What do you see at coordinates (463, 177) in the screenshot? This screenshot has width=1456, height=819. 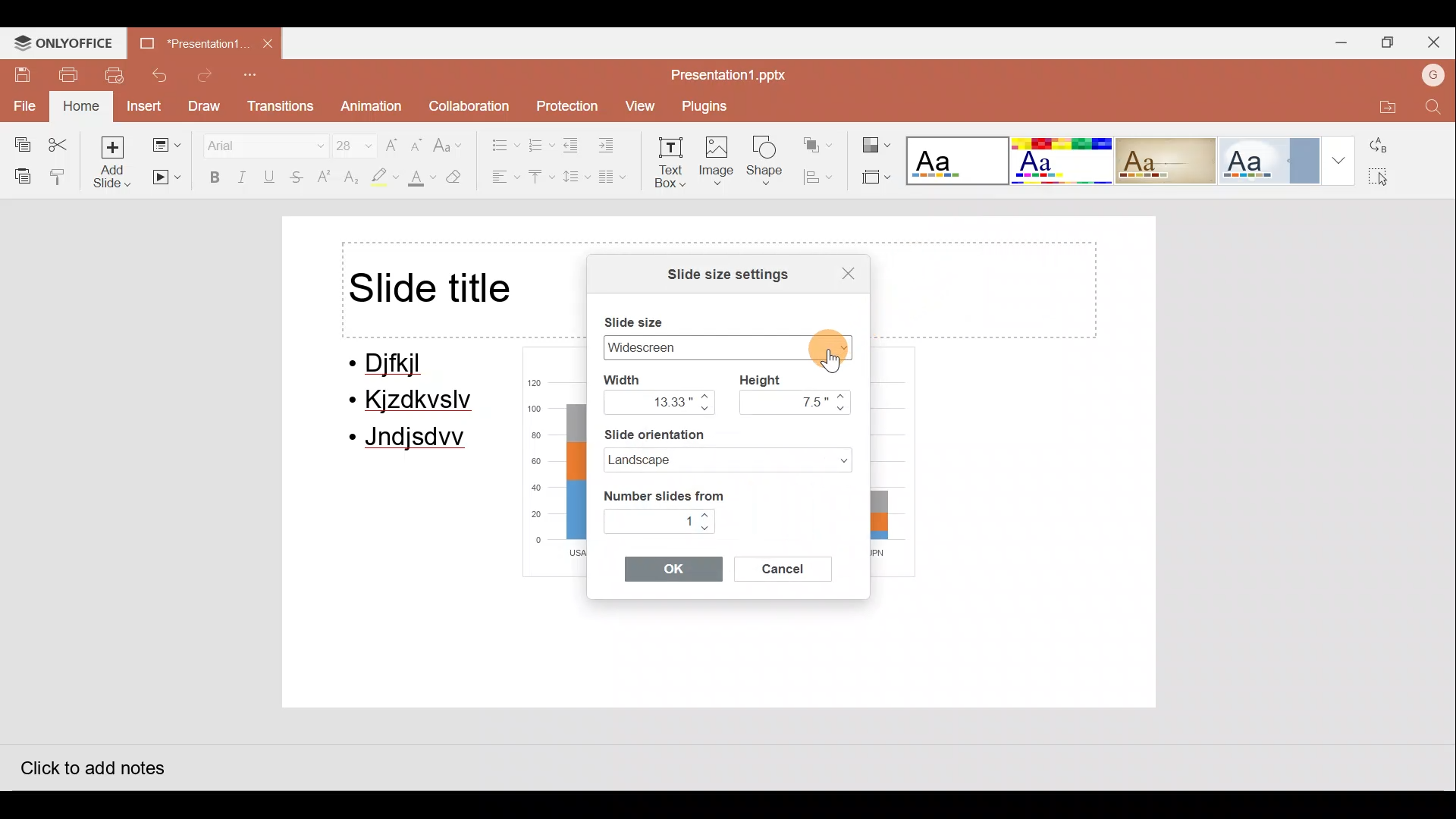 I see `Clear style` at bounding box center [463, 177].